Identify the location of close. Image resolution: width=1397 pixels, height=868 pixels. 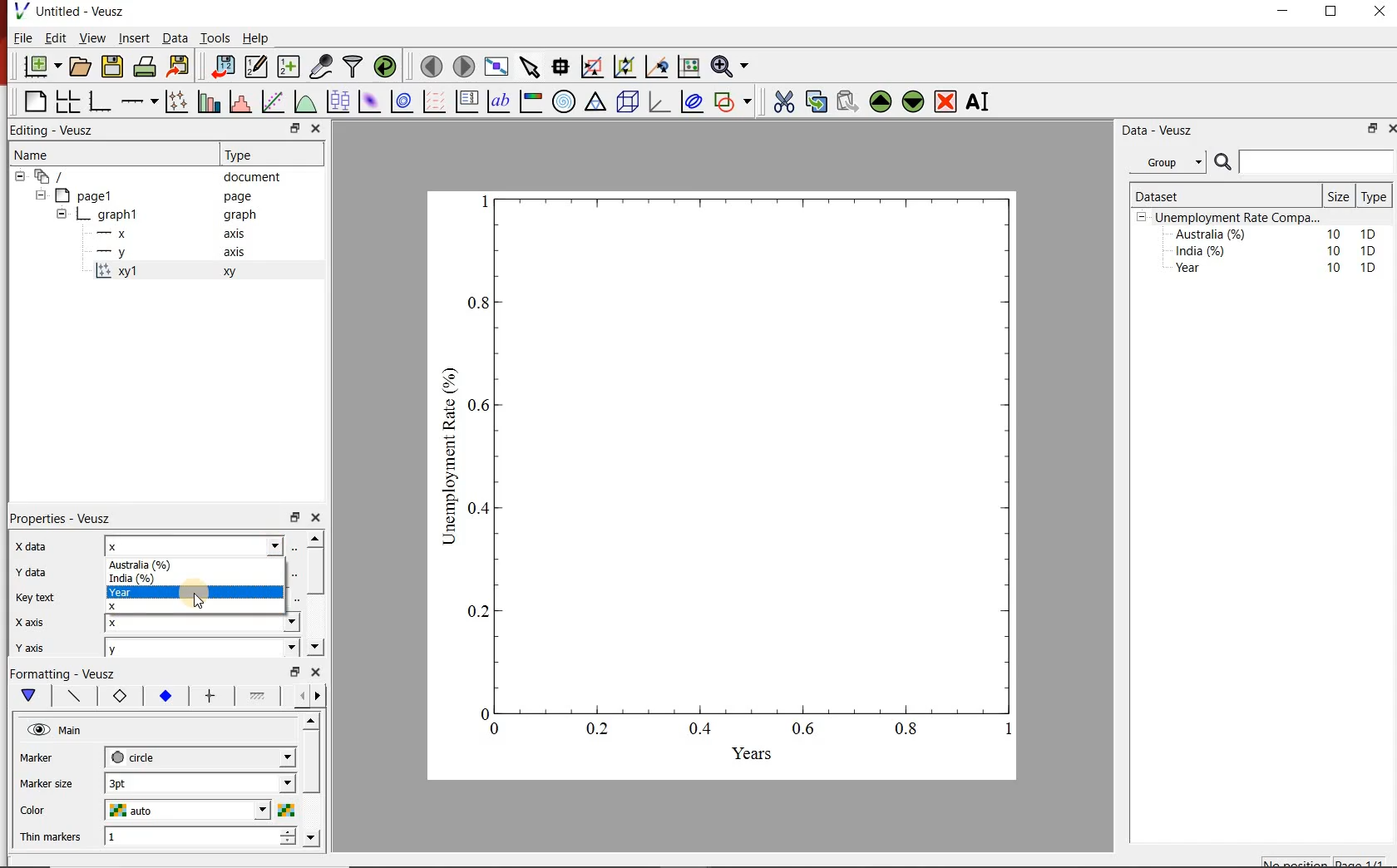
(317, 672).